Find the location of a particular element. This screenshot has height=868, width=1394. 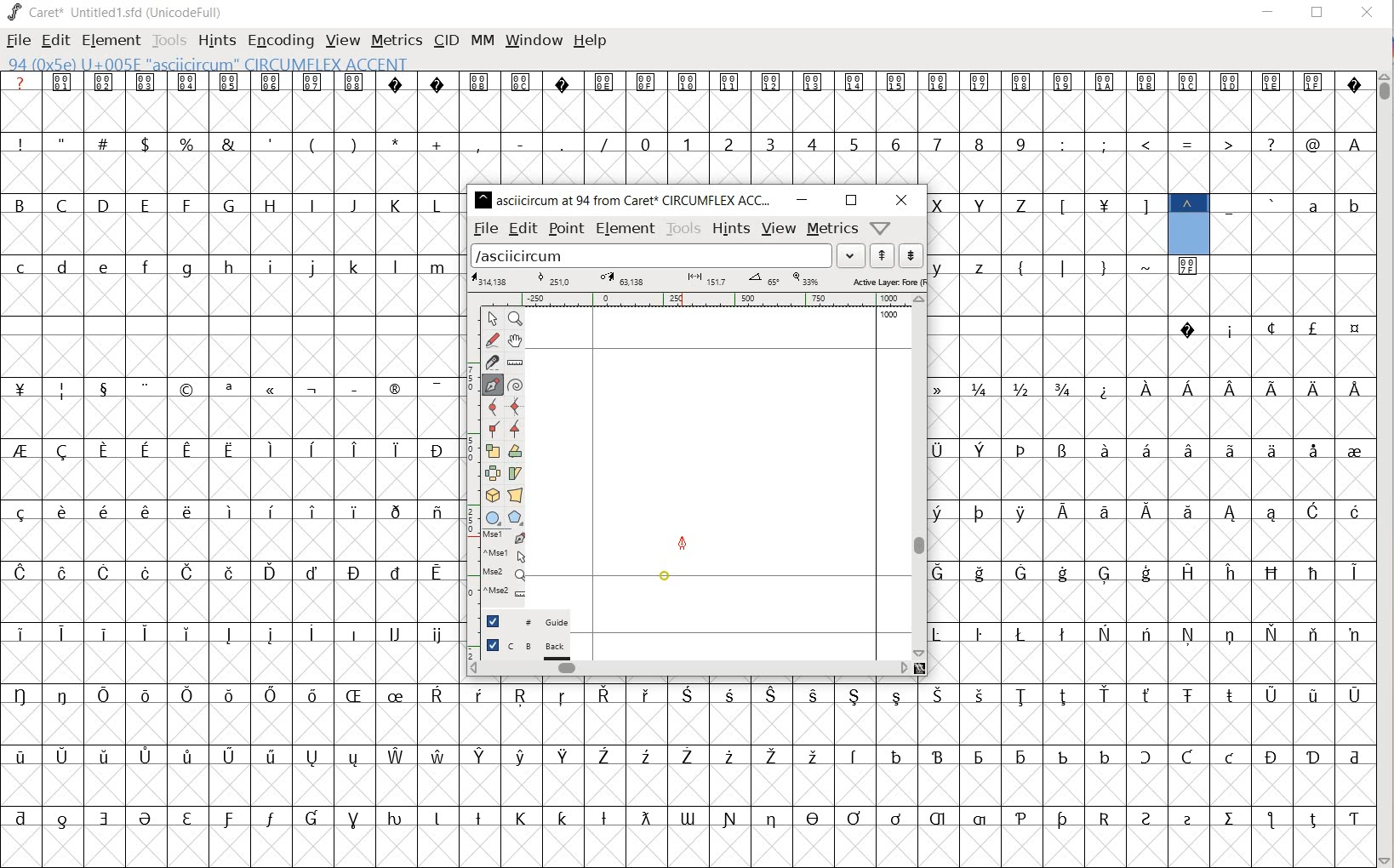

SCROLLBAR is located at coordinates (1385, 467).